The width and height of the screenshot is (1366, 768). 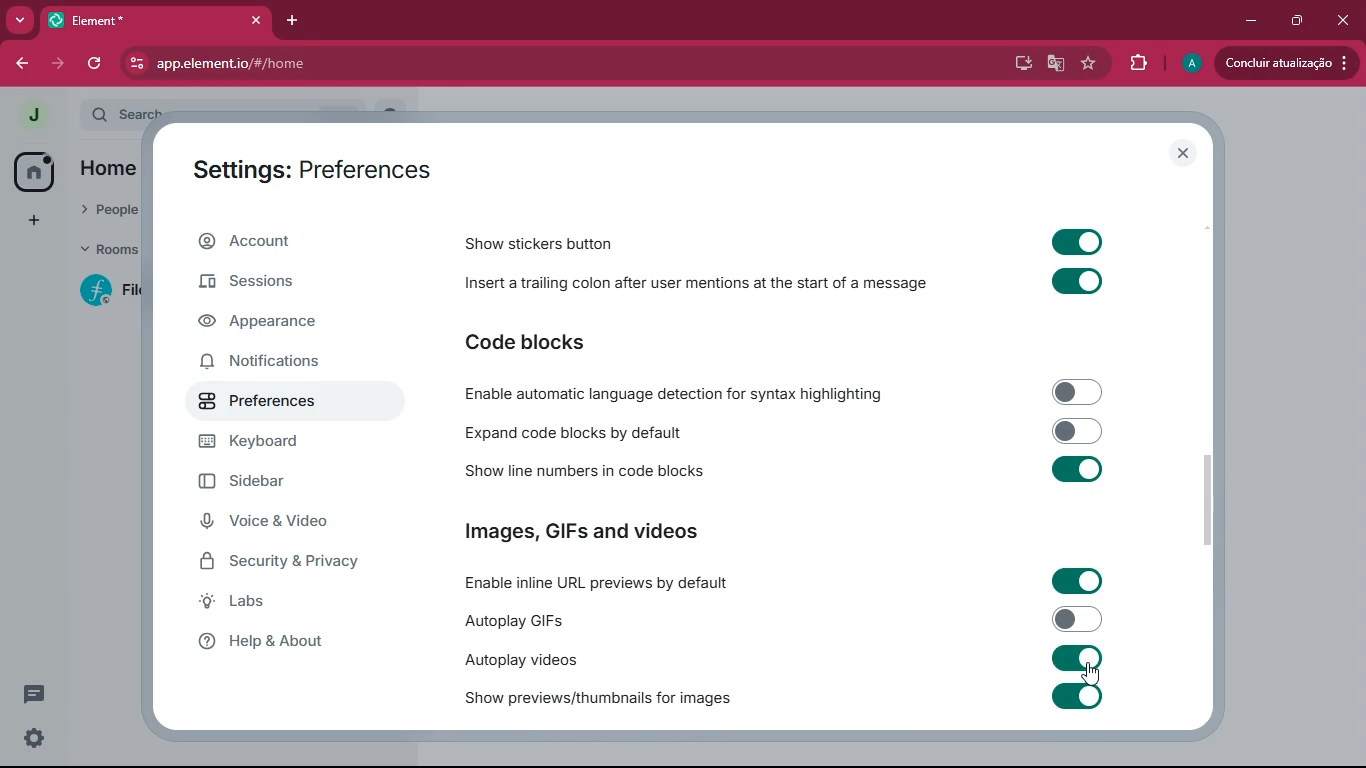 What do you see at coordinates (1078, 658) in the screenshot?
I see `` at bounding box center [1078, 658].